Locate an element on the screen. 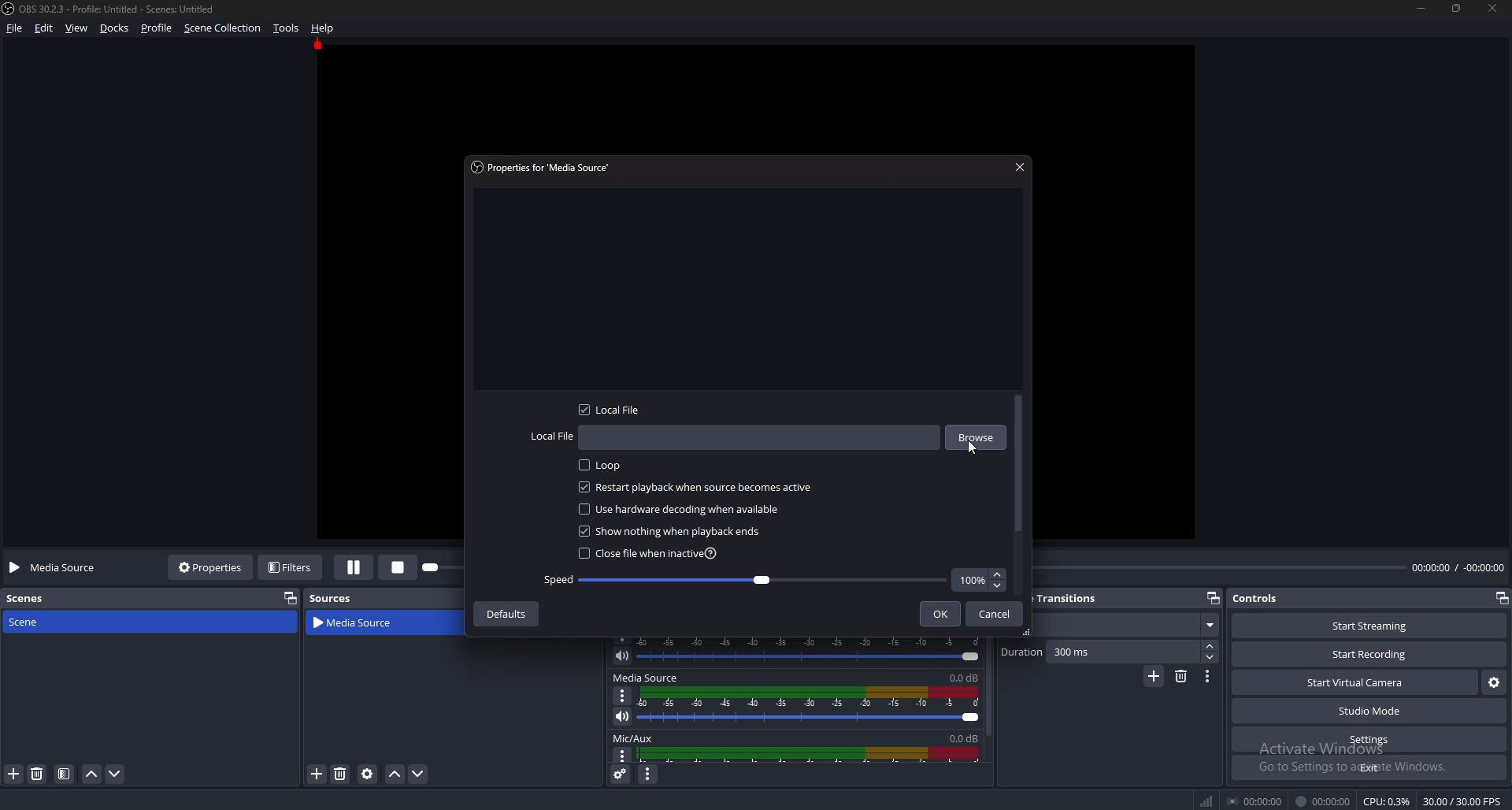 Image resolution: width=1512 pixels, height=810 pixels. Delete sources is located at coordinates (341, 774).